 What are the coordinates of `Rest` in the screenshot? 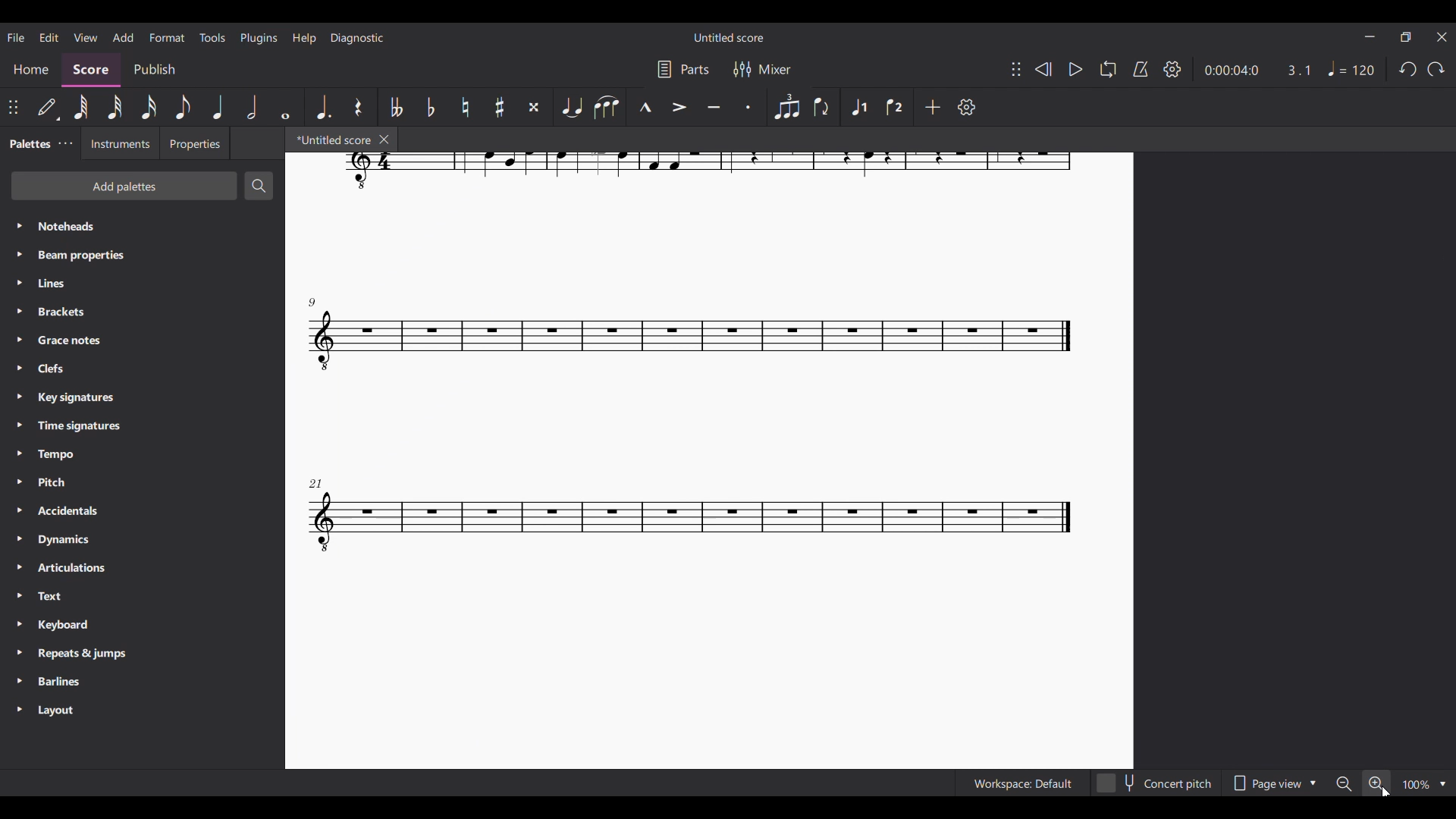 It's located at (358, 107).